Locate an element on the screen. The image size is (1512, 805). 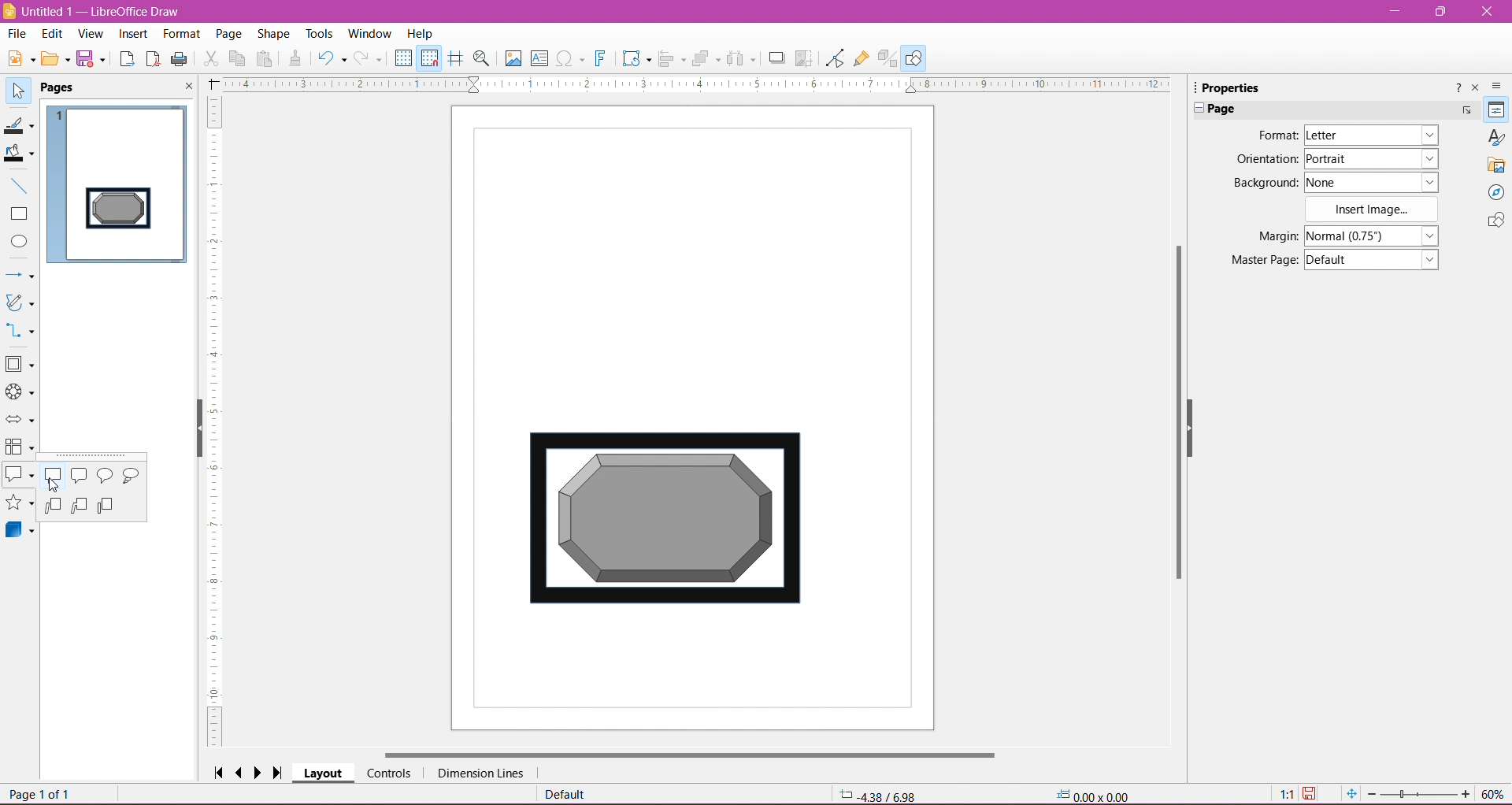
Close is located at coordinates (1486, 12).